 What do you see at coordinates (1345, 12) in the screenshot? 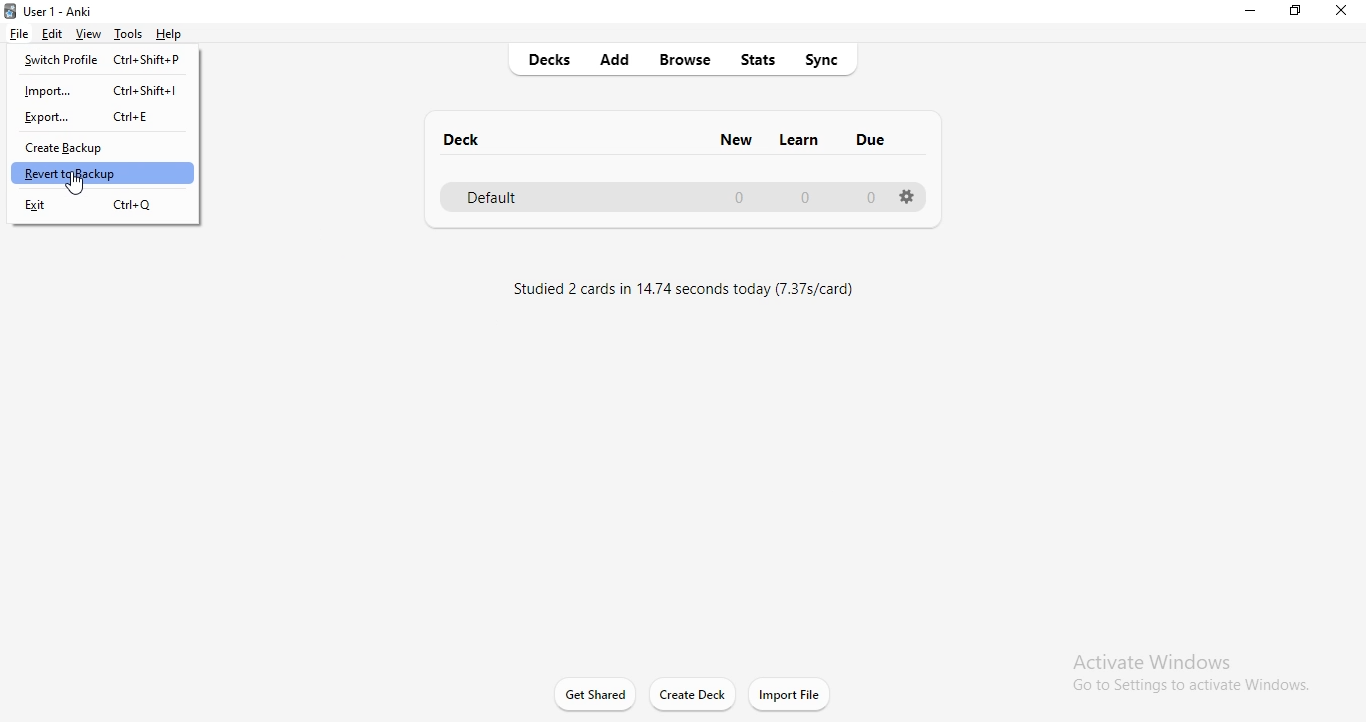
I see `close` at bounding box center [1345, 12].